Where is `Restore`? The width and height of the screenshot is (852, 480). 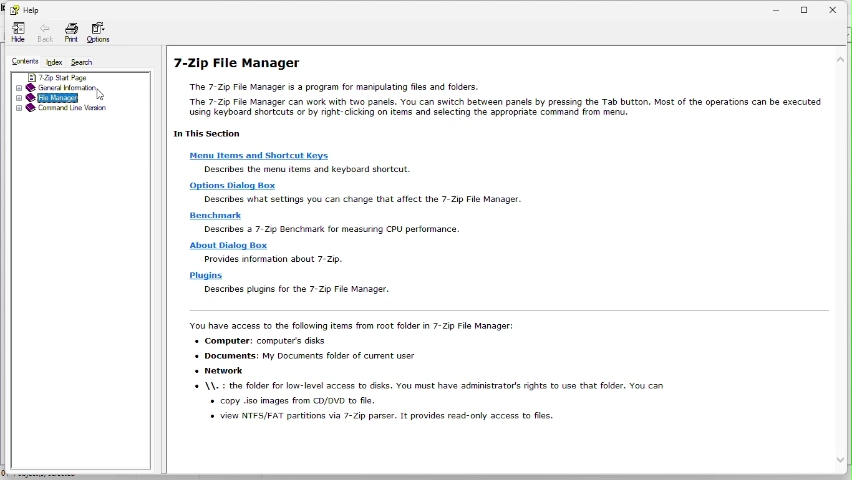 Restore is located at coordinates (807, 7).